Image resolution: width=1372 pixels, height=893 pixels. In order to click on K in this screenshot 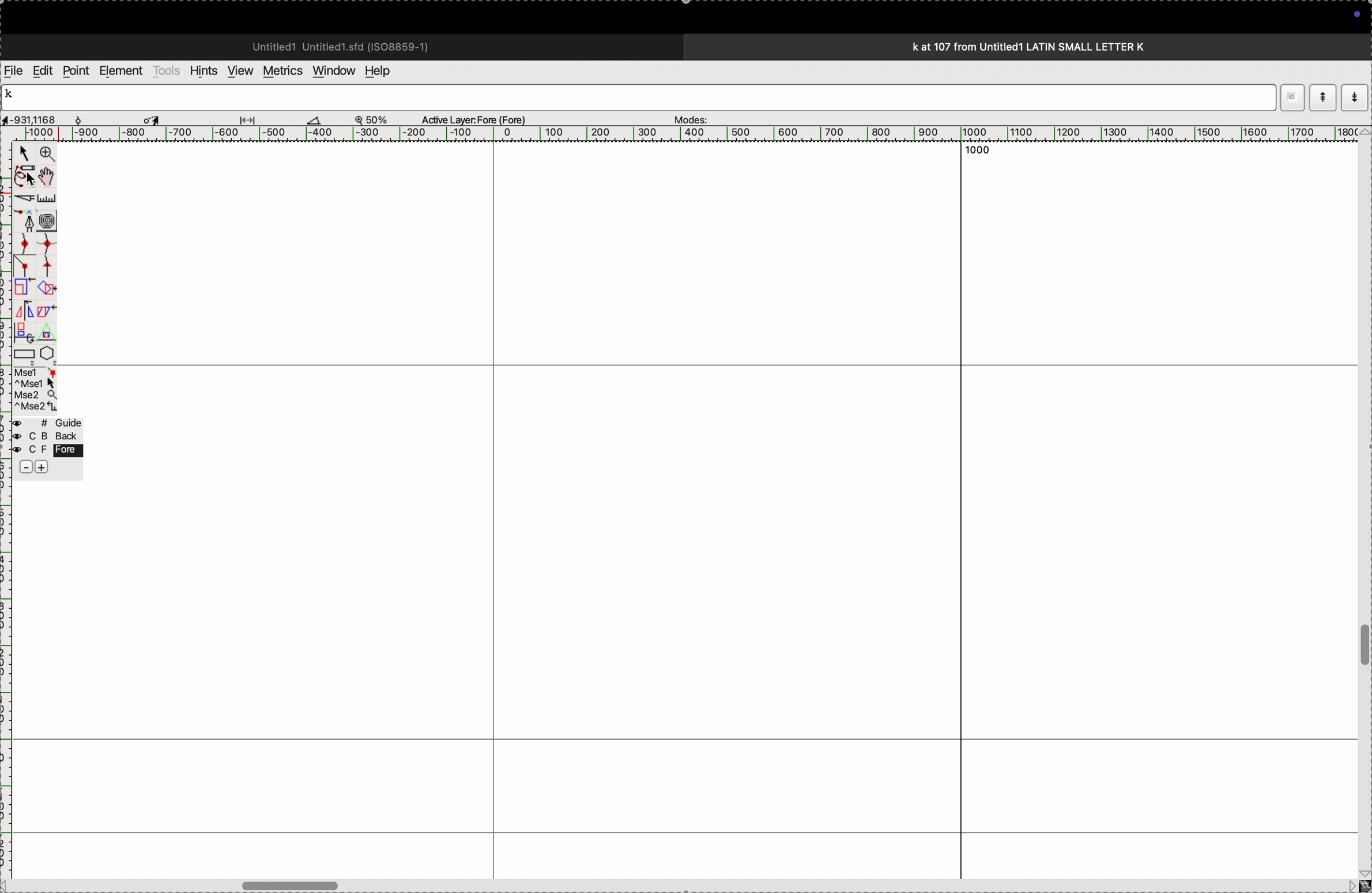, I will do `click(14, 96)`.